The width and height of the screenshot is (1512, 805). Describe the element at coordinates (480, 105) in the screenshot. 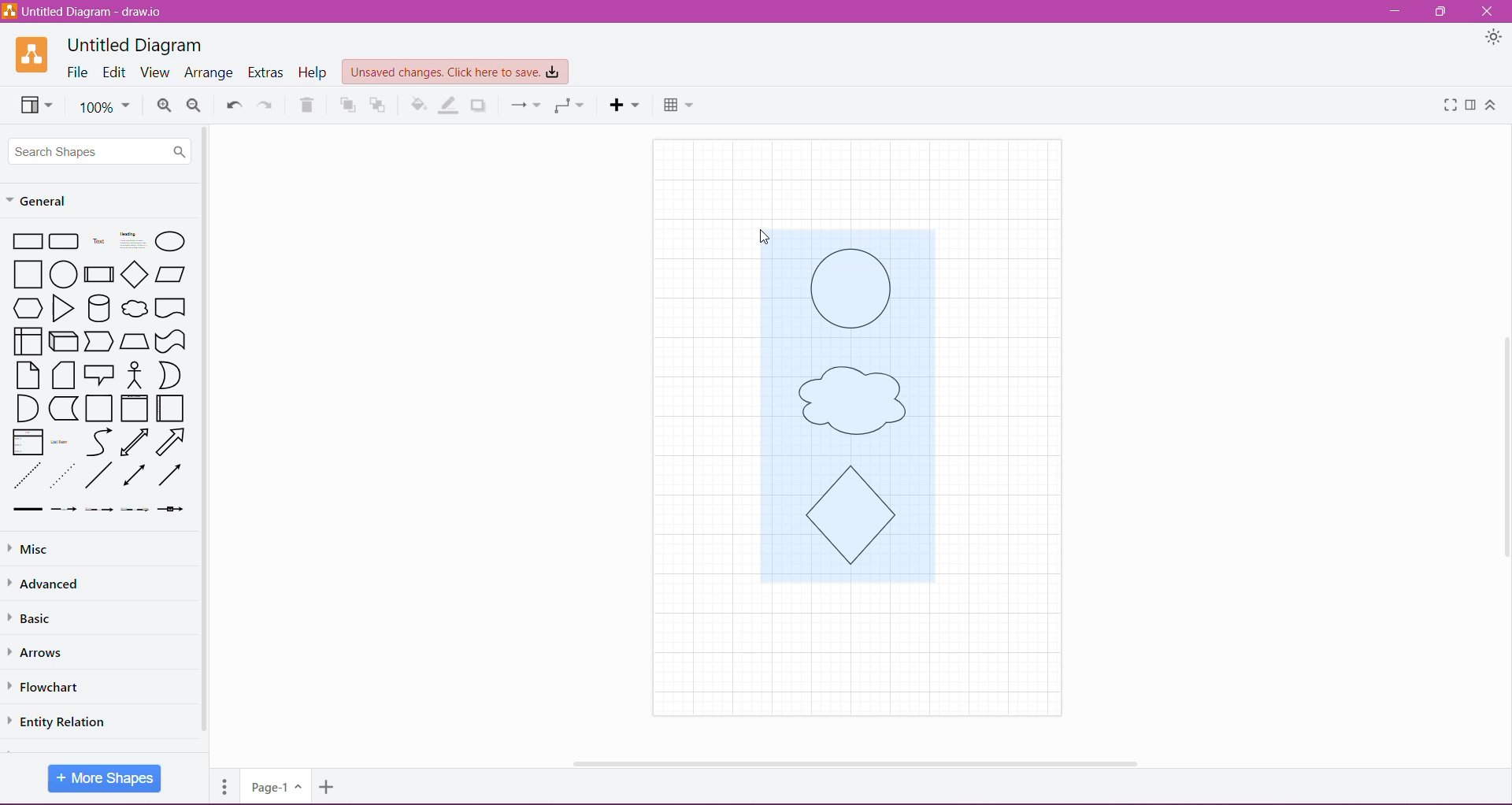

I see `Shadow` at that location.